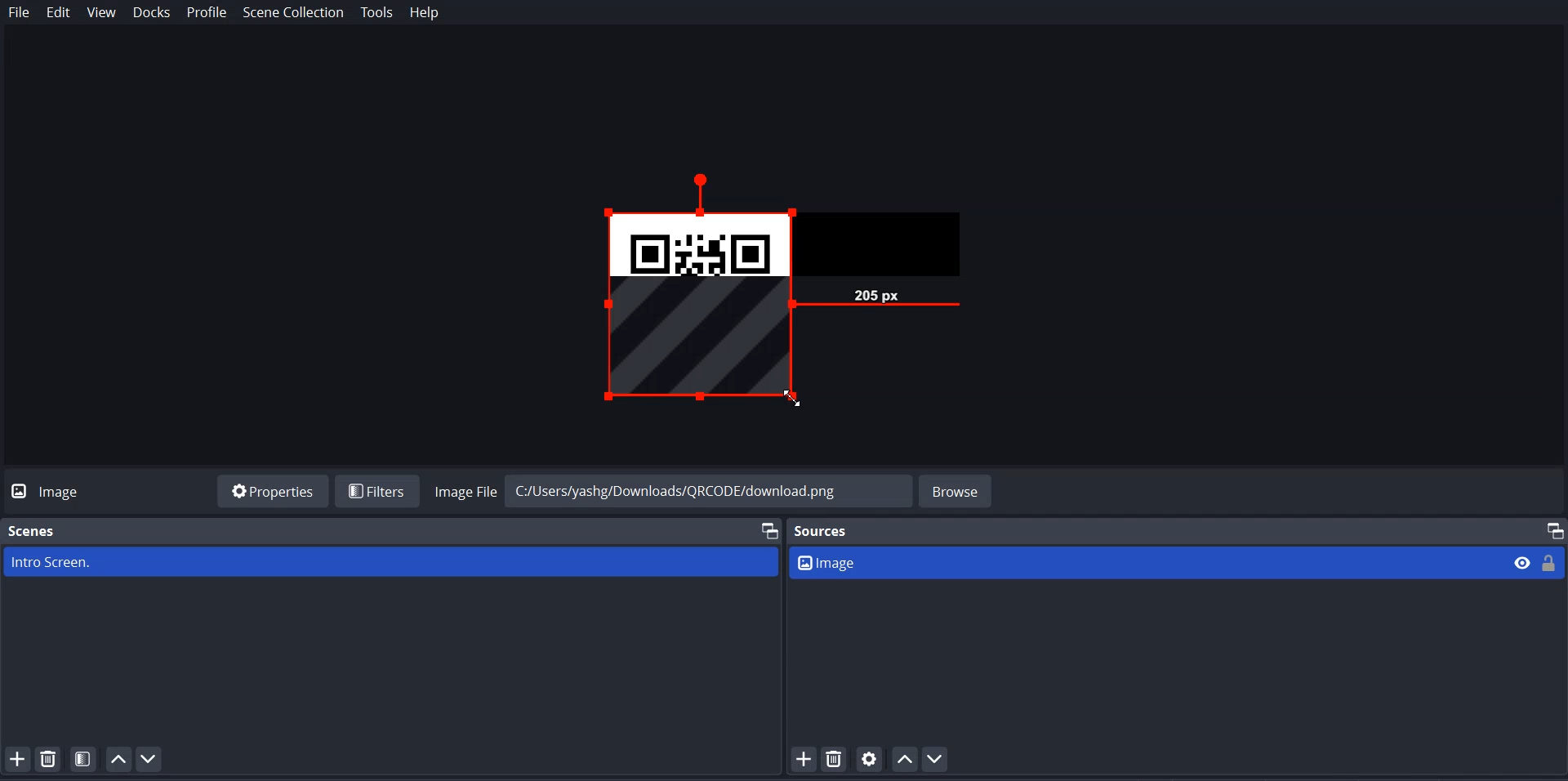 The height and width of the screenshot is (781, 1568). What do you see at coordinates (273, 490) in the screenshot?
I see `Properties` at bounding box center [273, 490].